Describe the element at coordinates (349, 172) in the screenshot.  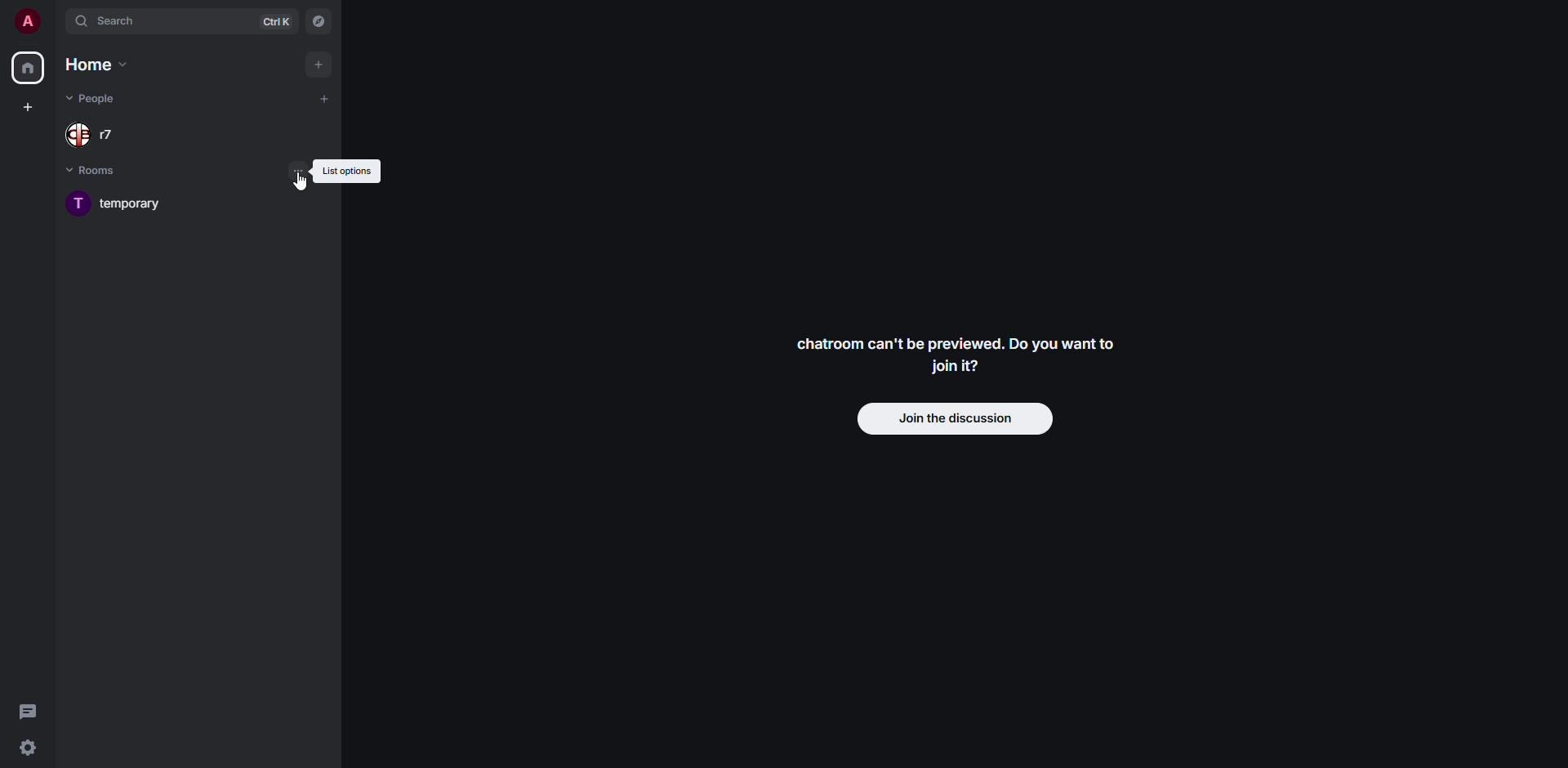
I see `list options` at that location.